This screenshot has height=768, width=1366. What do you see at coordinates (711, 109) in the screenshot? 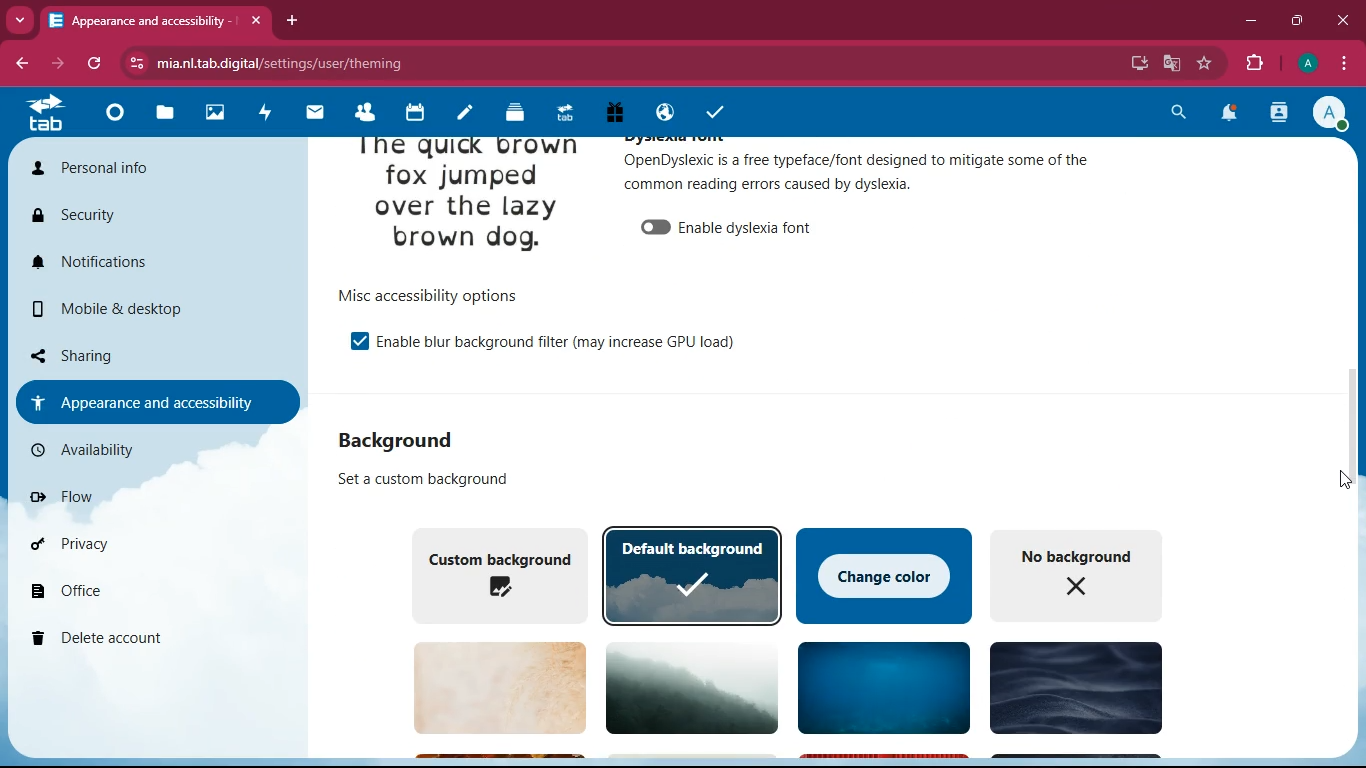
I see `tasks` at bounding box center [711, 109].